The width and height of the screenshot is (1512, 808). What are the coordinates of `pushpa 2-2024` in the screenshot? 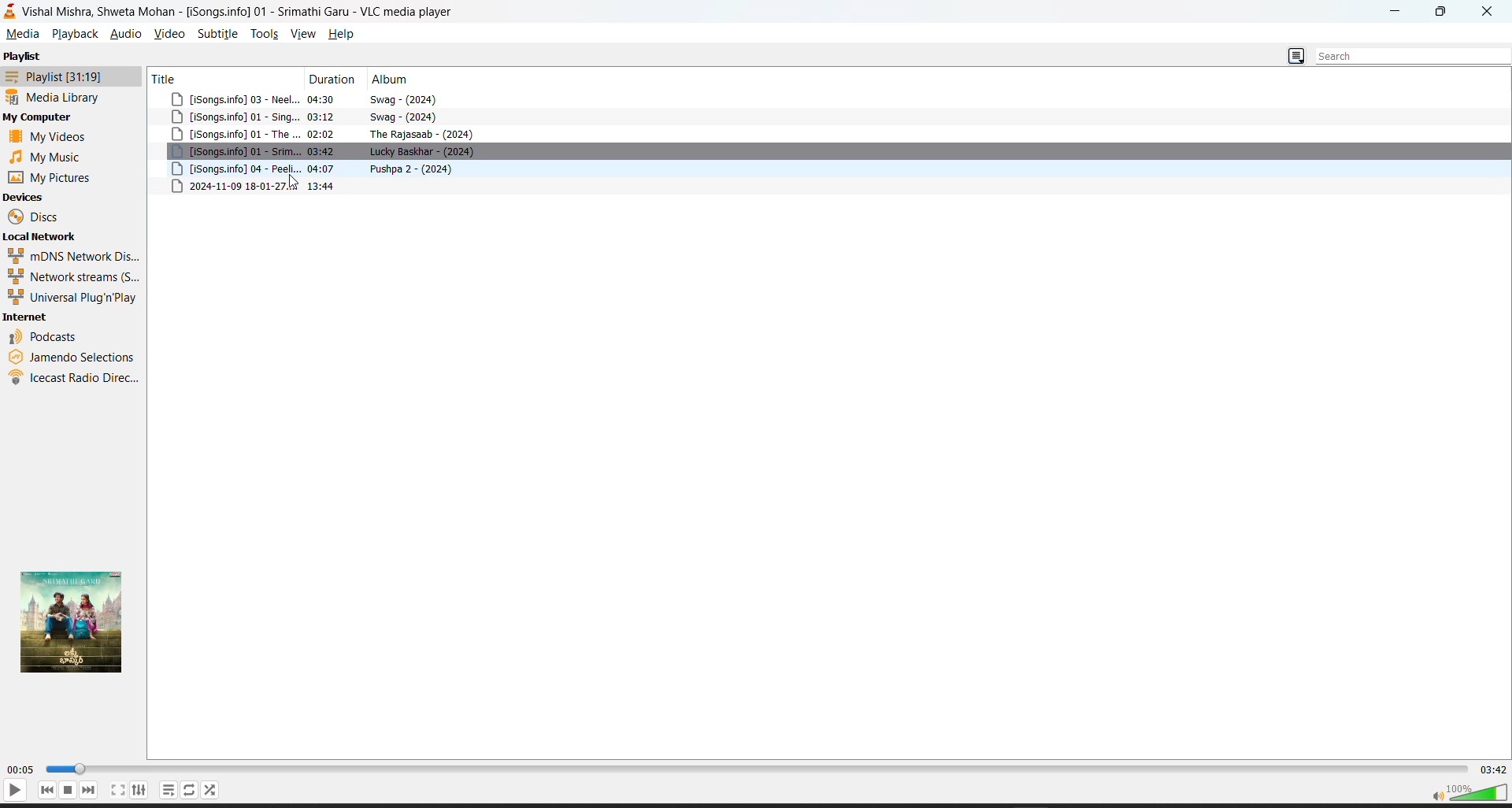 It's located at (419, 169).